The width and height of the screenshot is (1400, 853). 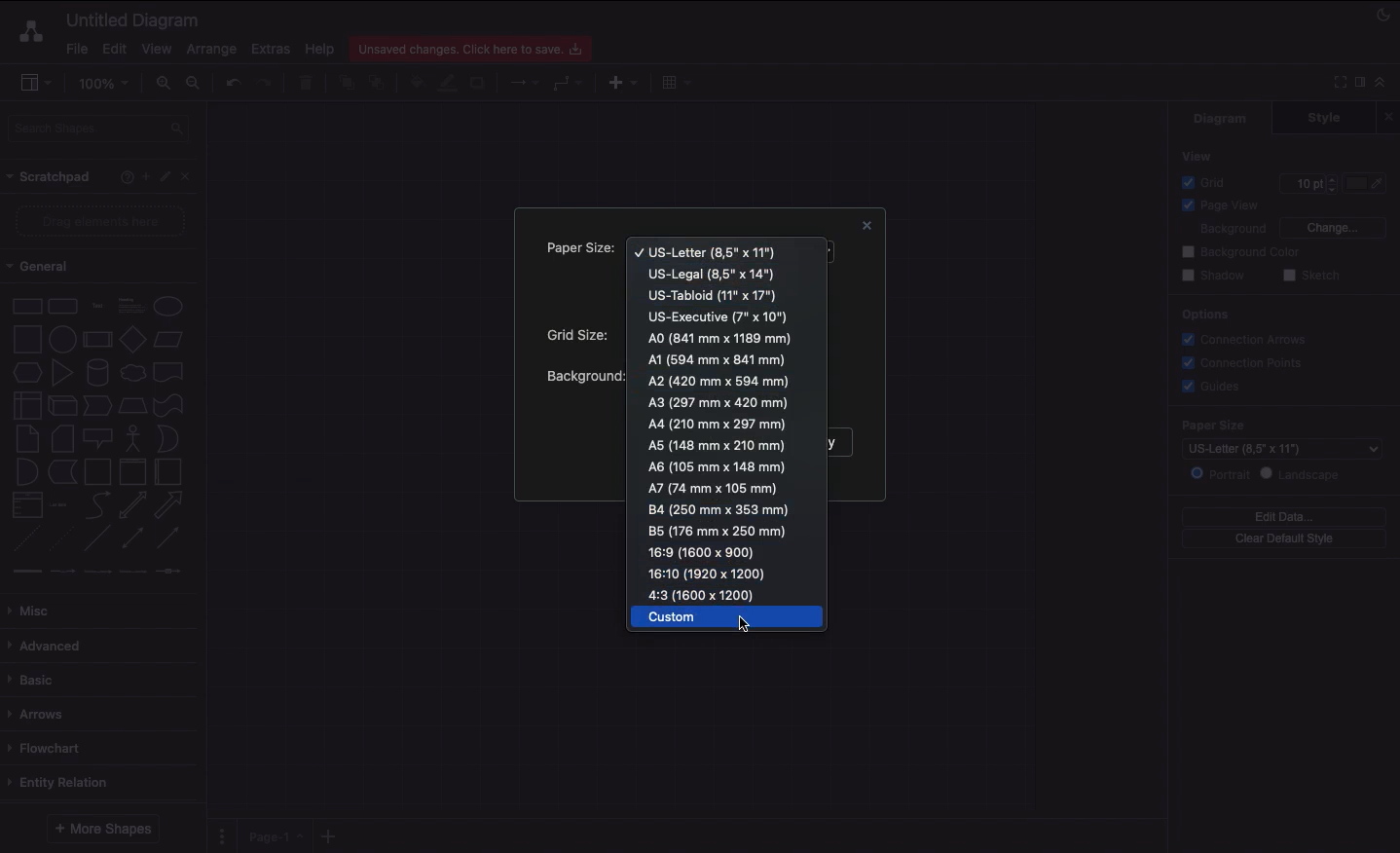 What do you see at coordinates (1332, 226) in the screenshot?
I see `Change` at bounding box center [1332, 226].